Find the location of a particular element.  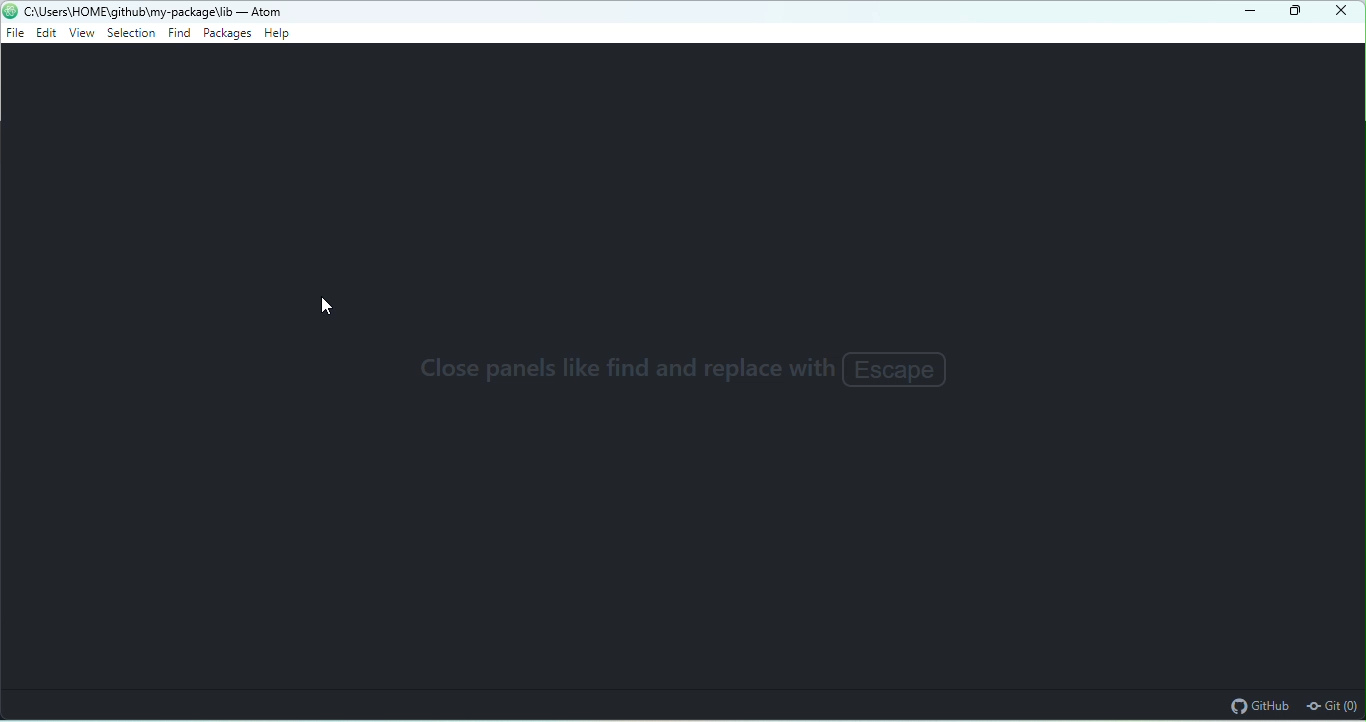

Escape is located at coordinates (895, 368).